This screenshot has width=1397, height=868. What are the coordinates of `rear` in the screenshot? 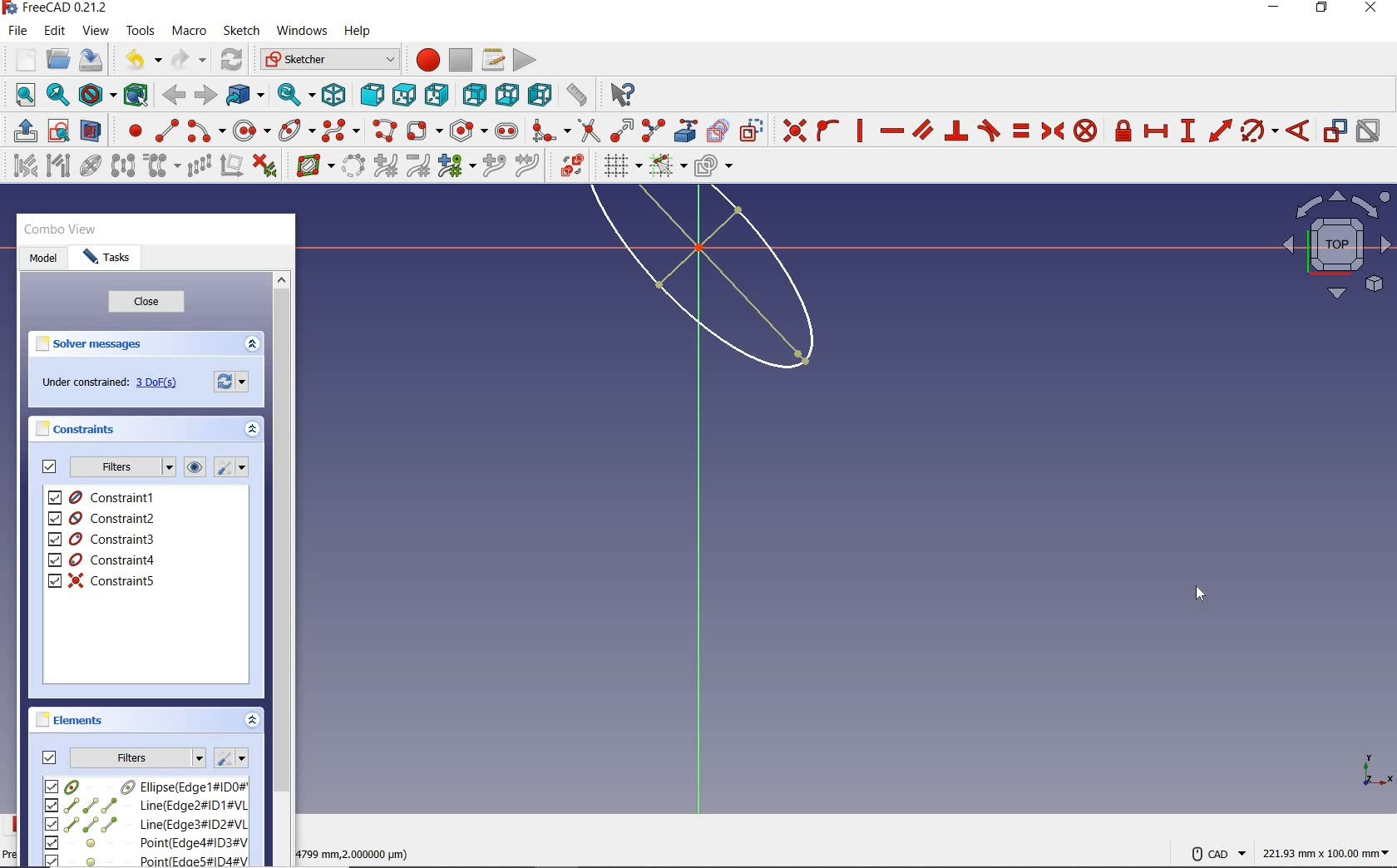 It's located at (474, 94).